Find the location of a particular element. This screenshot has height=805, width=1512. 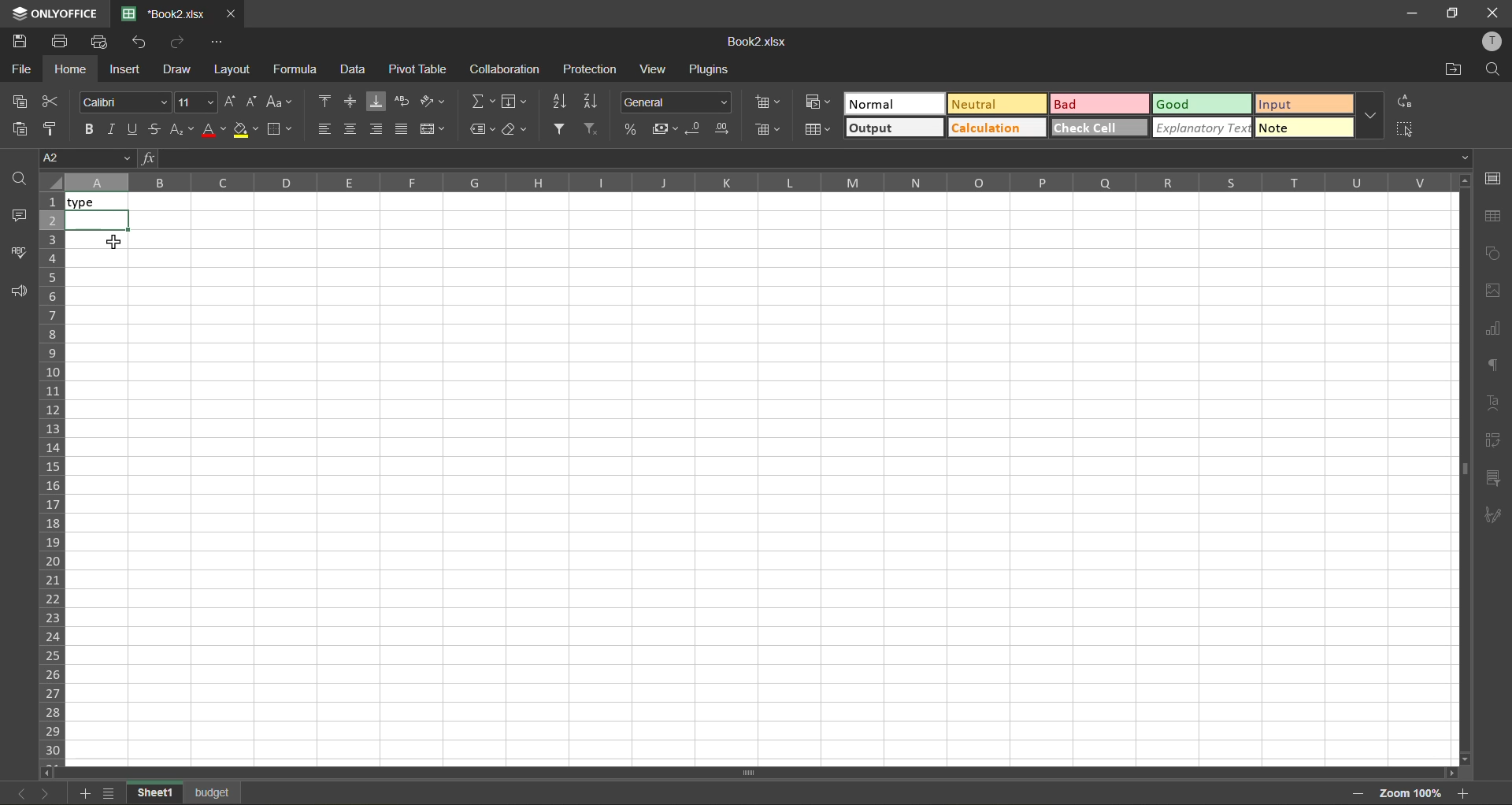

named ranges is located at coordinates (483, 129).